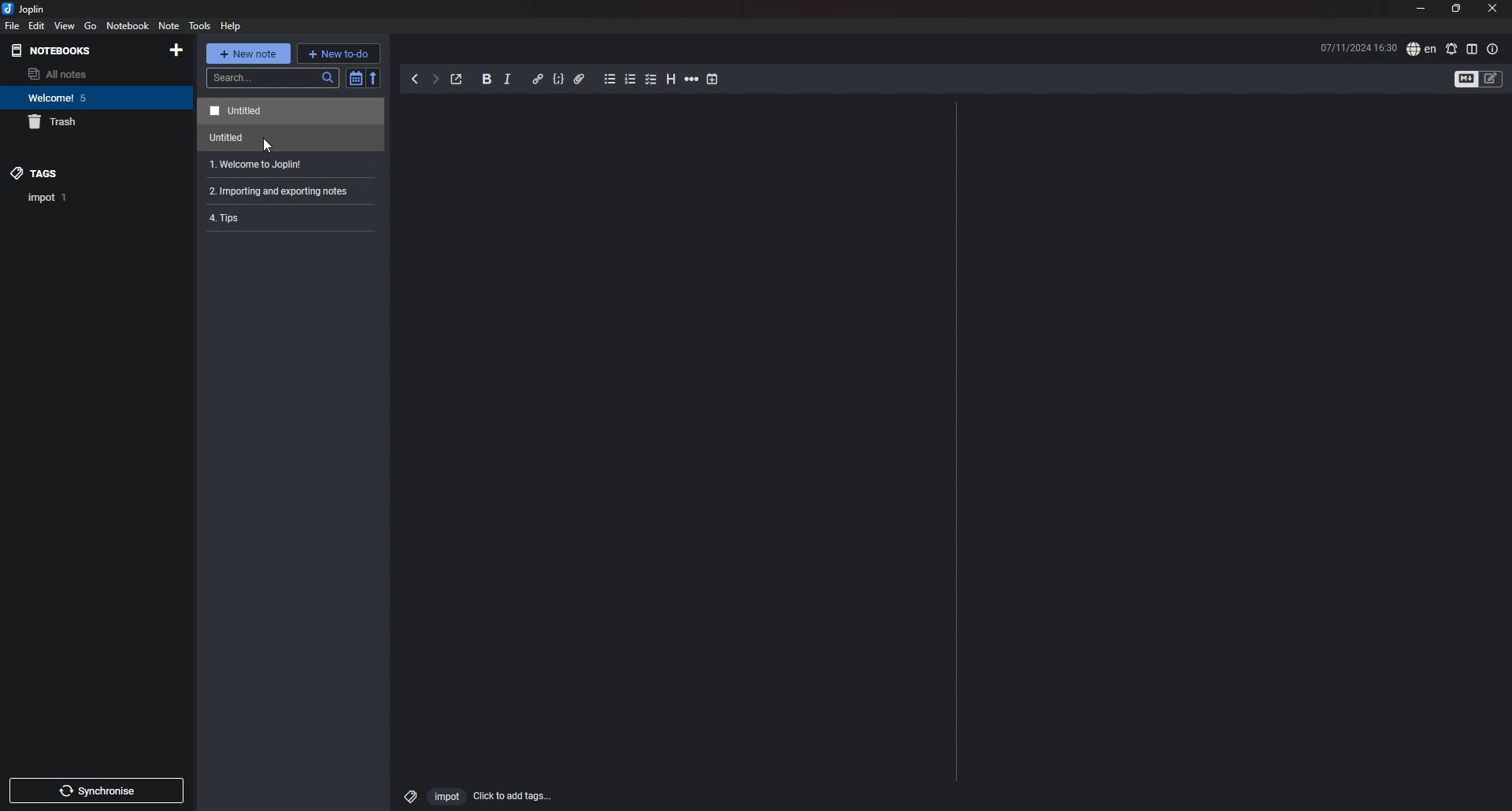 This screenshot has width=1512, height=811. I want to click on all notes, so click(76, 74).